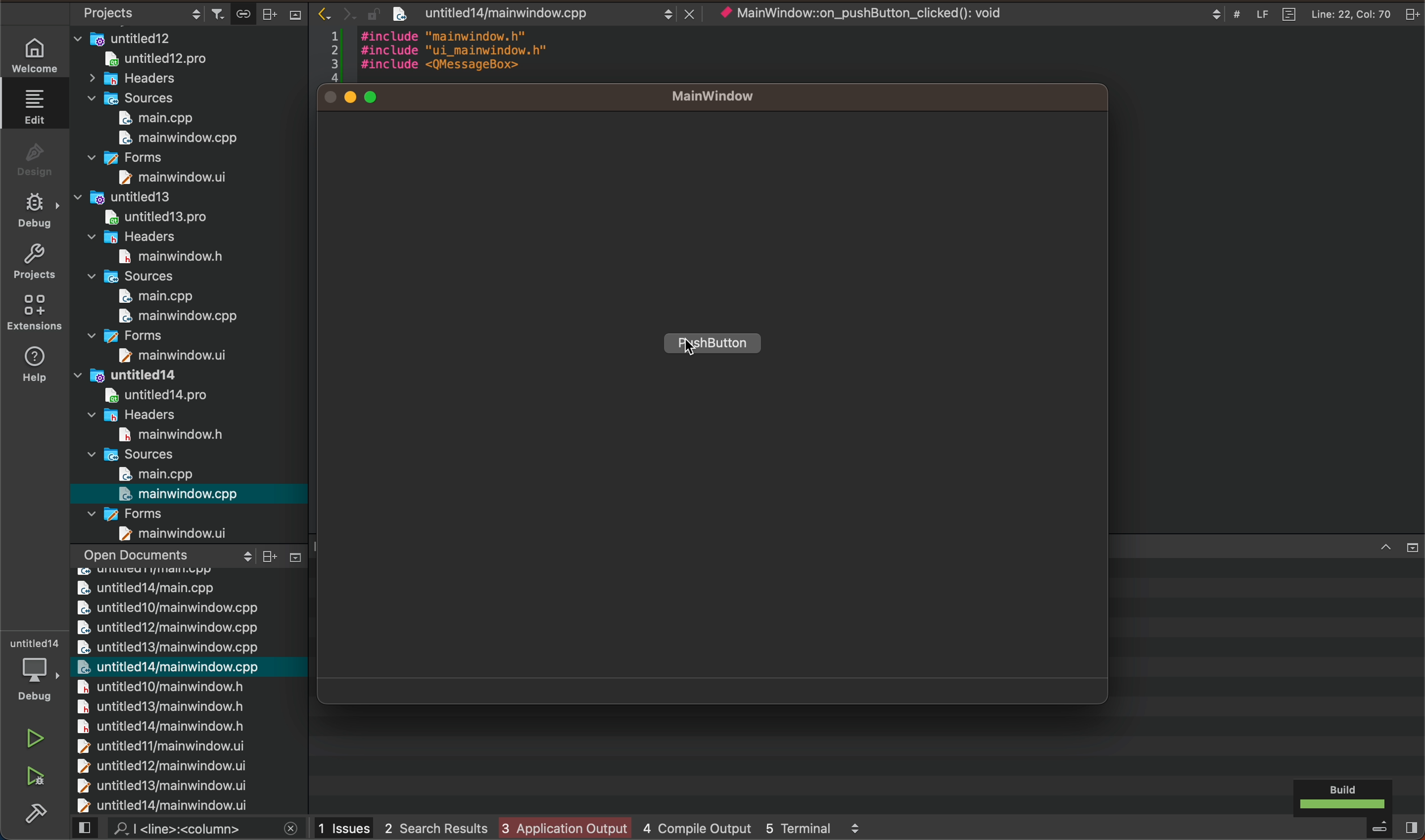  What do you see at coordinates (142, 196) in the screenshot?
I see `untitled13` at bounding box center [142, 196].